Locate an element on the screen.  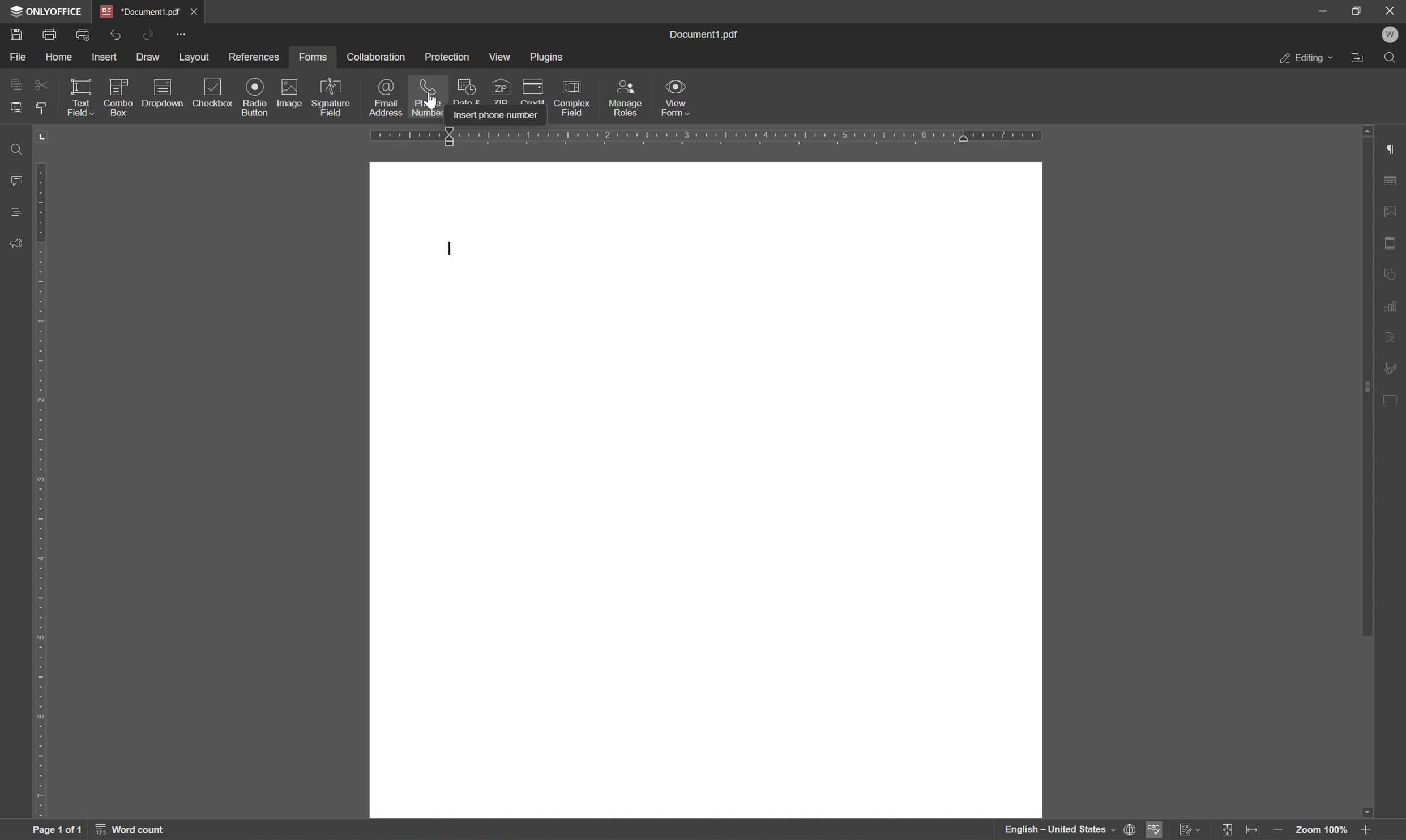
layout is located at coordinates (196, 57).